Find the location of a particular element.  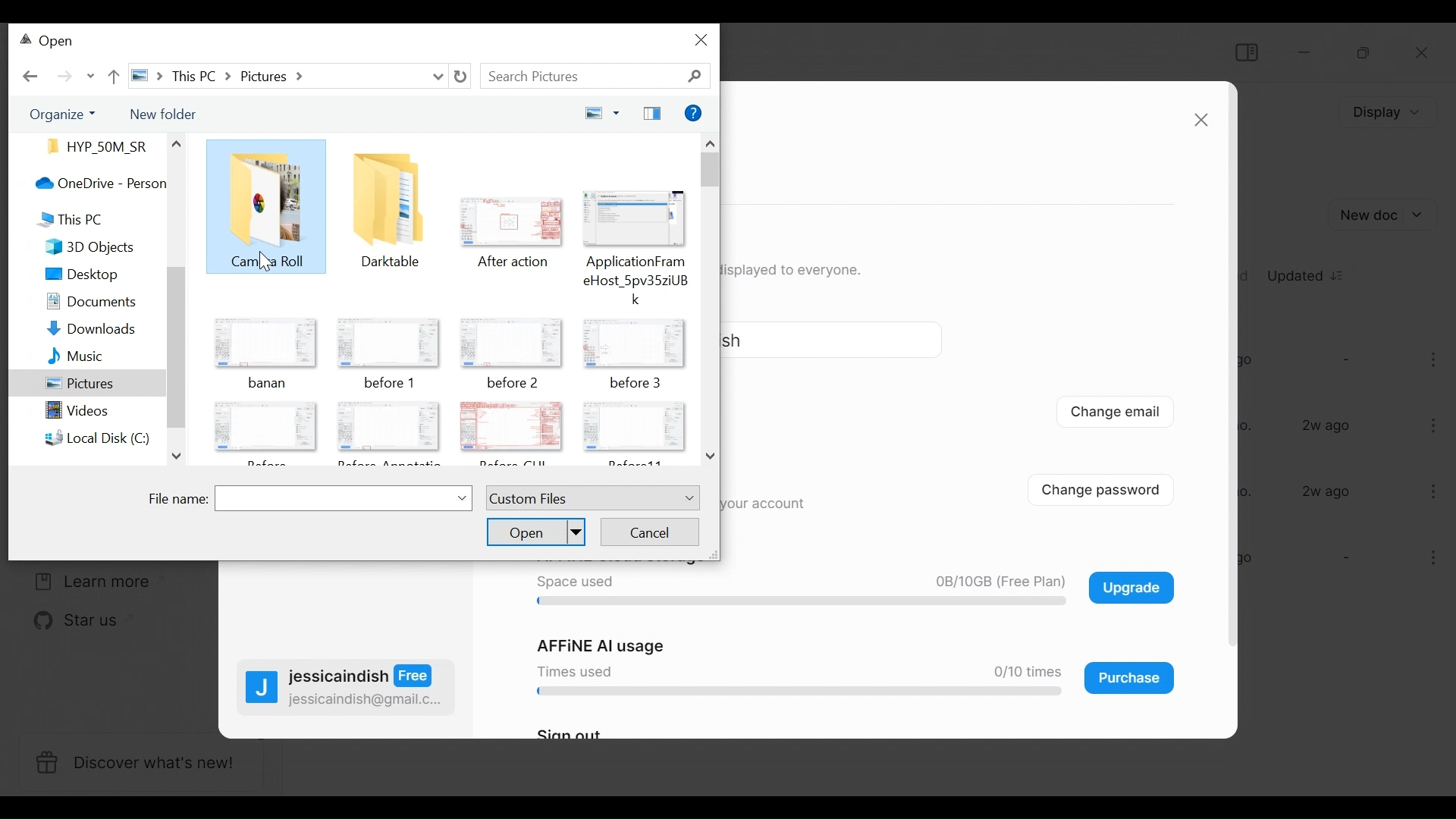

 is located at coordinates (267, 196).